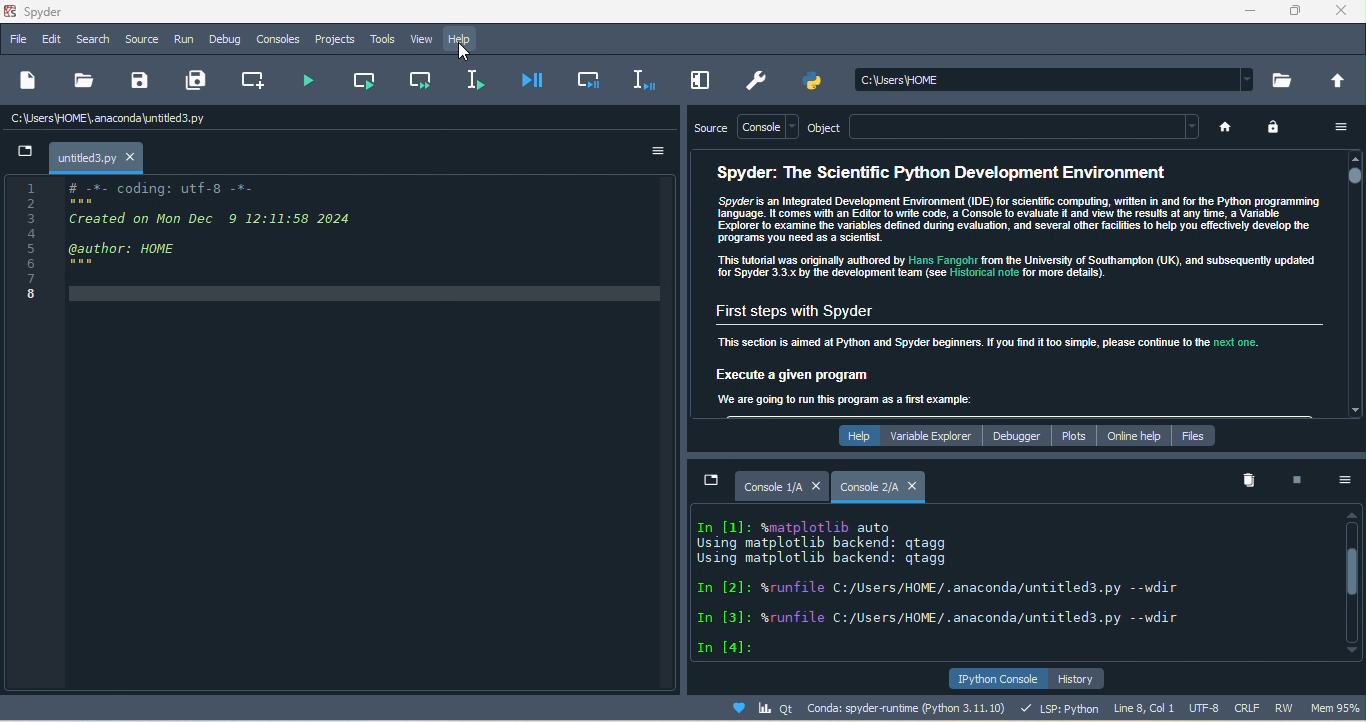  What do you see at coordinates (1072, 435) in the screenshot?
I see `plots` at bounding box center [1072, 435].